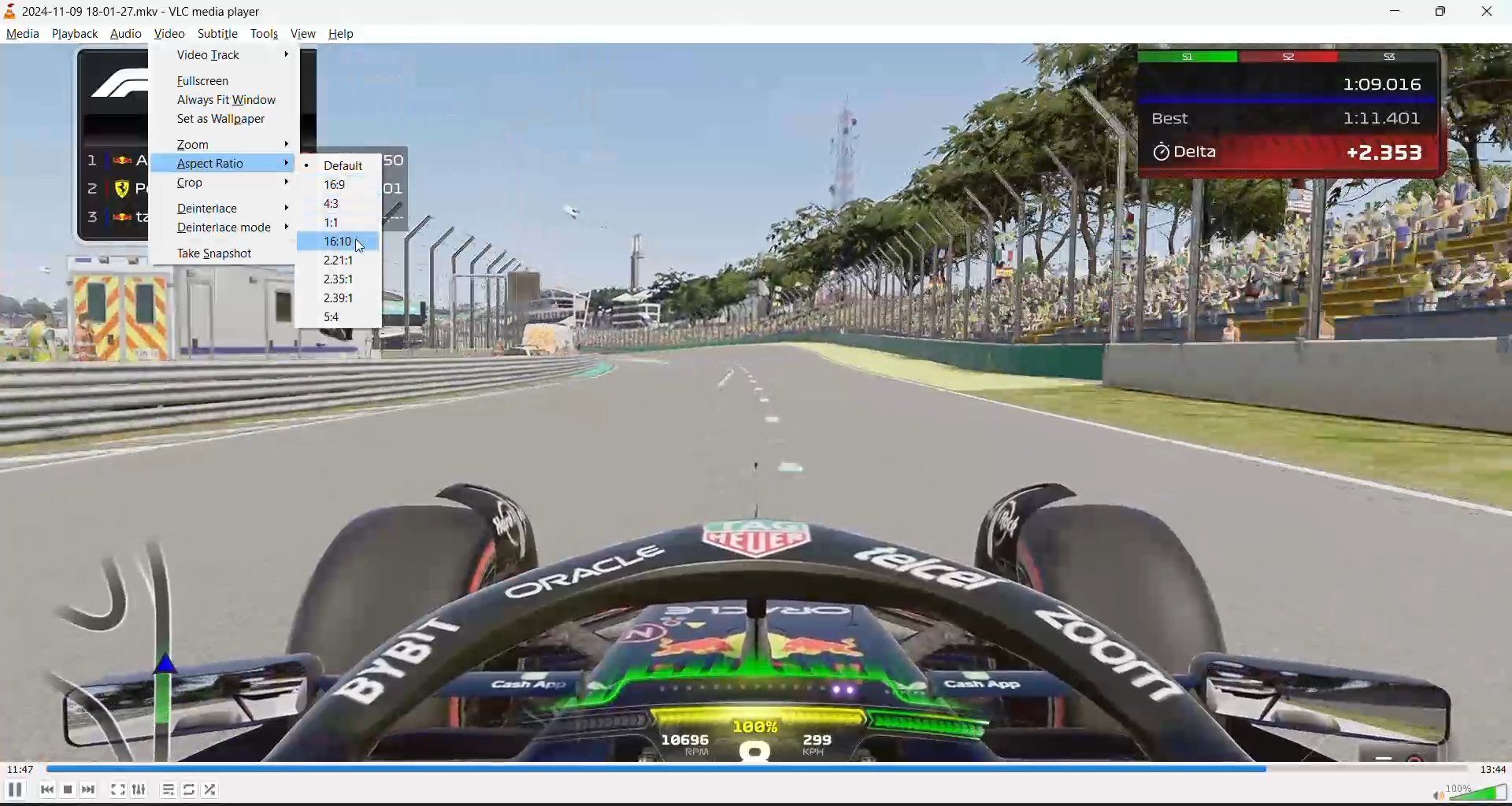 The image size is (1512, 806). Describe the element at coordinates (1493, 769) in the screenshot. I see `total track time` at that location.